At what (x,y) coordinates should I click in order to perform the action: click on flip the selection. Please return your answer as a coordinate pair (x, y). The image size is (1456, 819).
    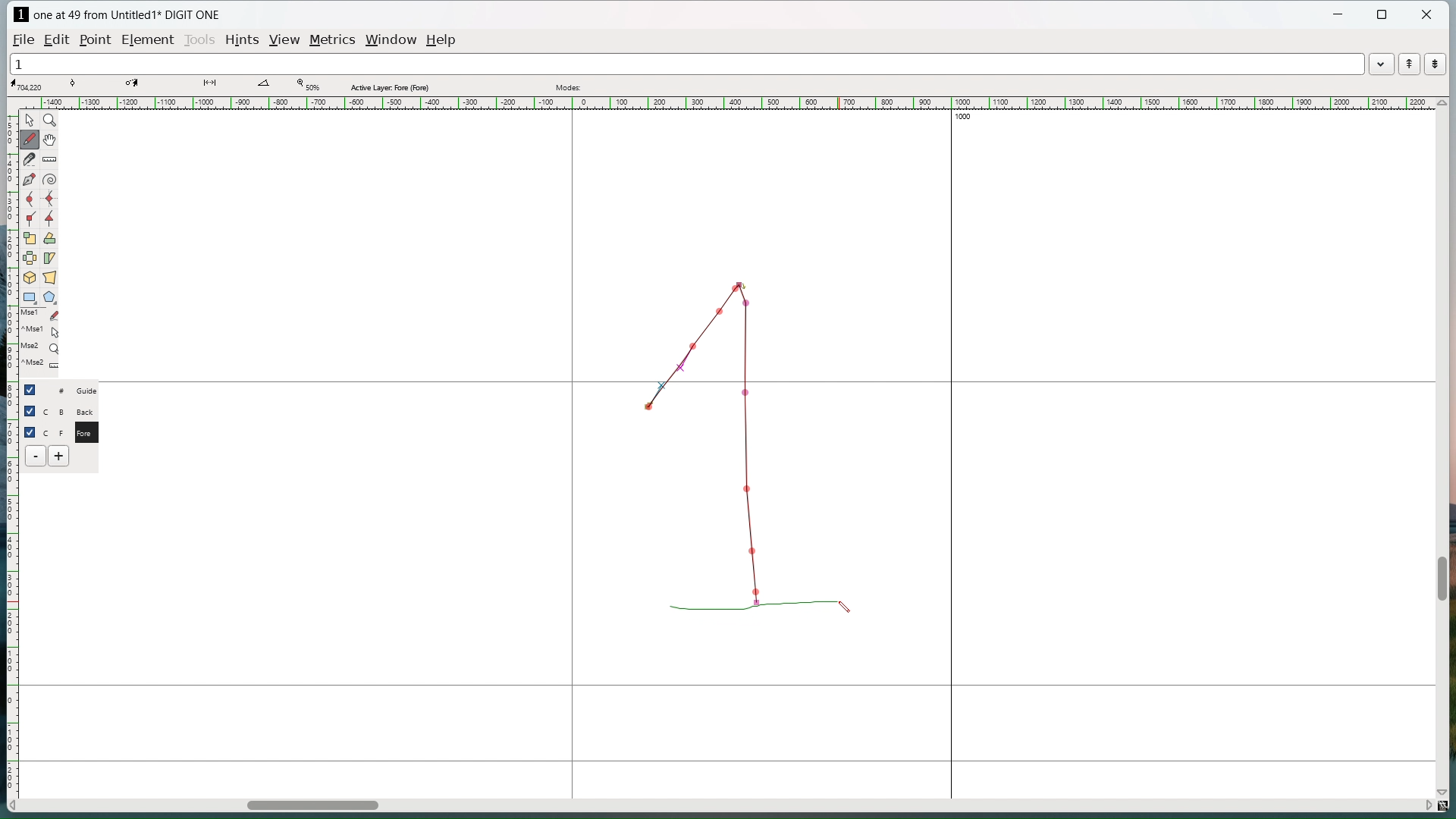
    Looking at the image, I should click on (30, 258).